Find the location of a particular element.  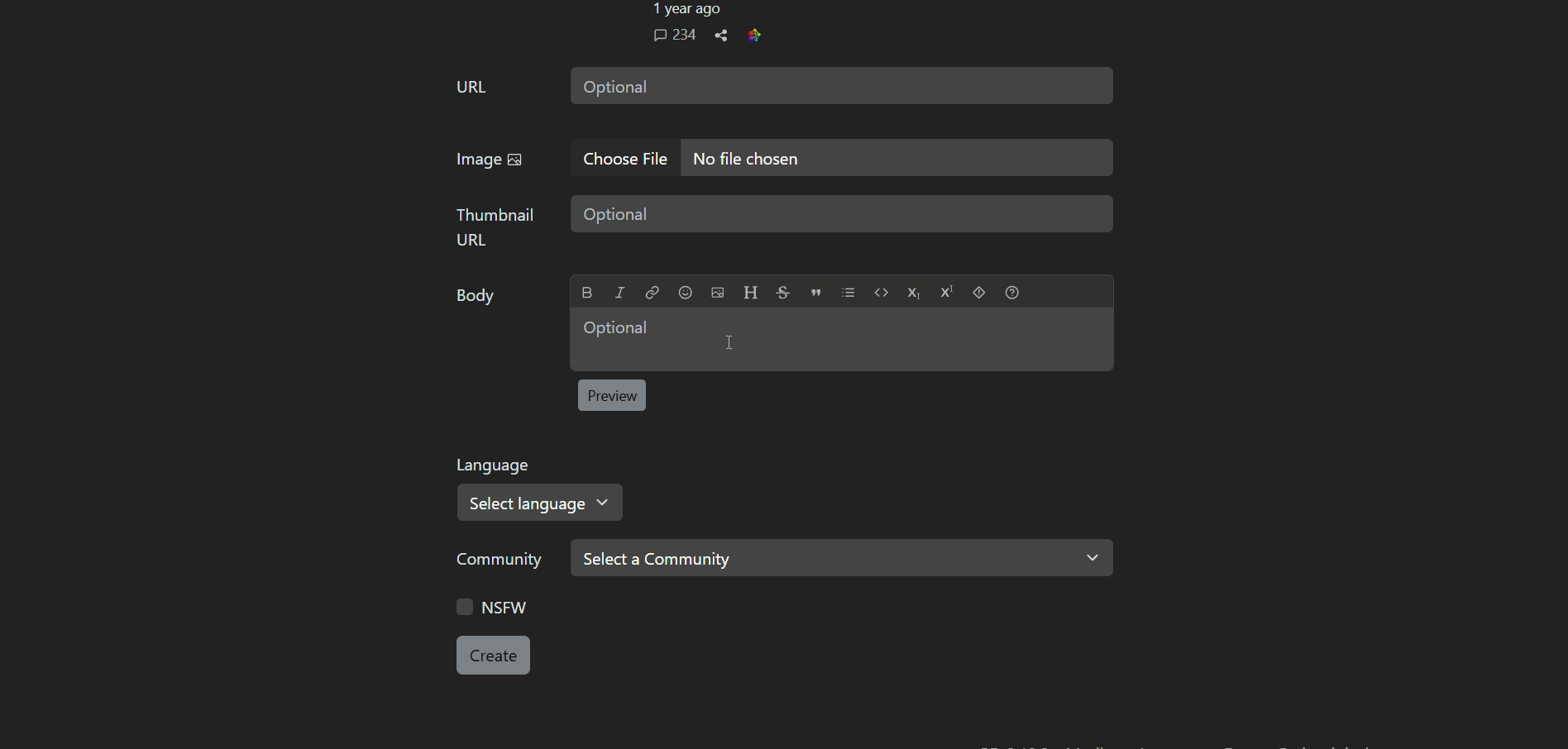

URL is located at coordinates (471, 86).